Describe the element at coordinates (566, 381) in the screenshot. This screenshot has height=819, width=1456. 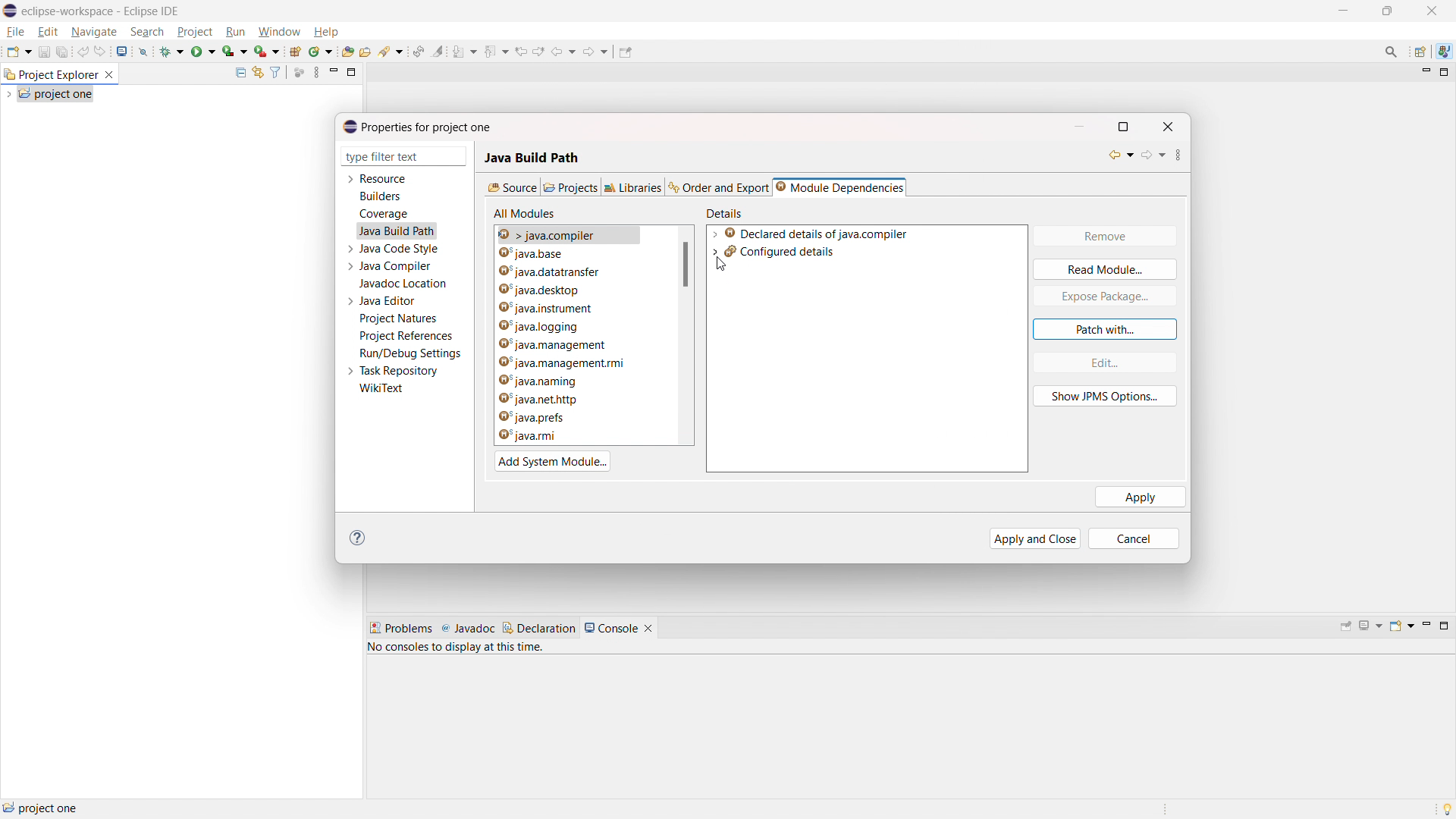
I see `java.naming` at that location.